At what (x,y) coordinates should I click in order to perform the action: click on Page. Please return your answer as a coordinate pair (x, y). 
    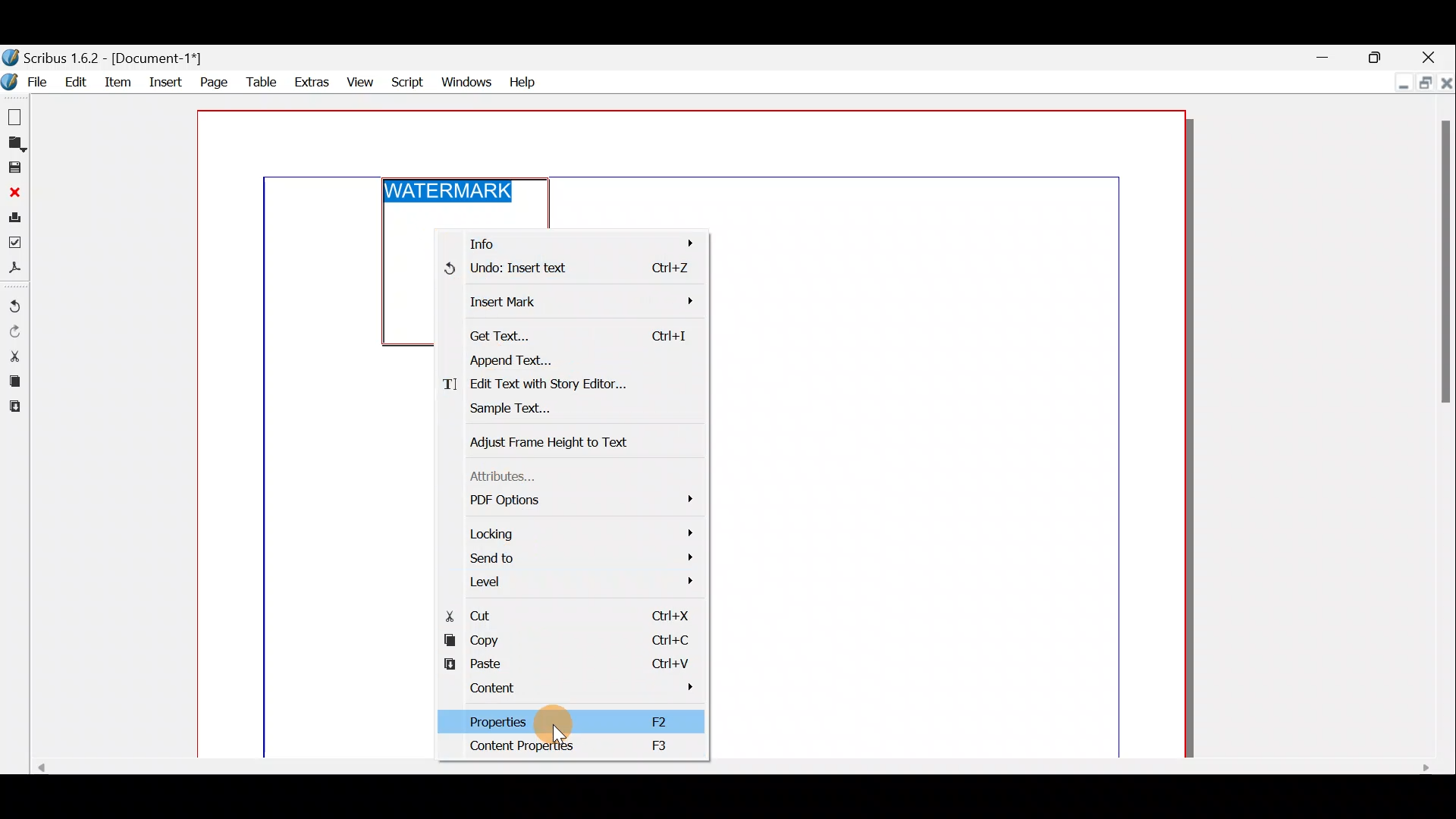
    Looking at the image, I should click on (212, 81).